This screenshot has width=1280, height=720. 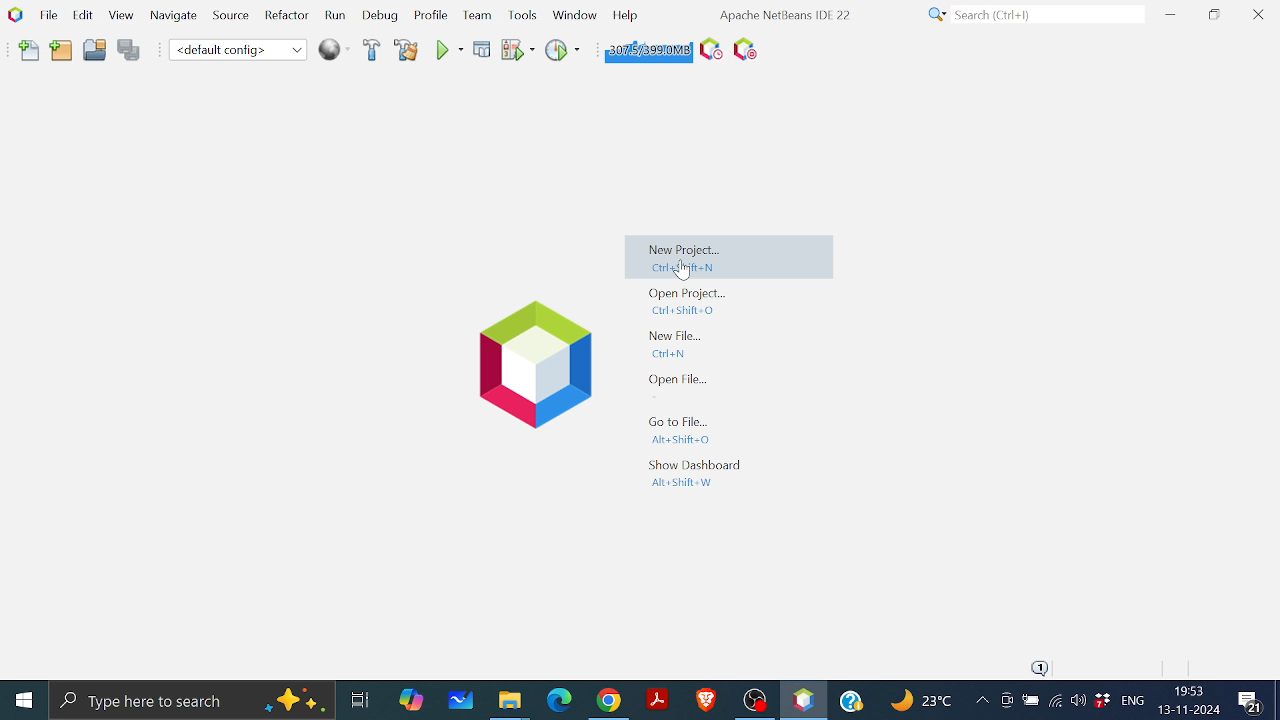 I want to click on Bettery, so click(x=1030, y=701).